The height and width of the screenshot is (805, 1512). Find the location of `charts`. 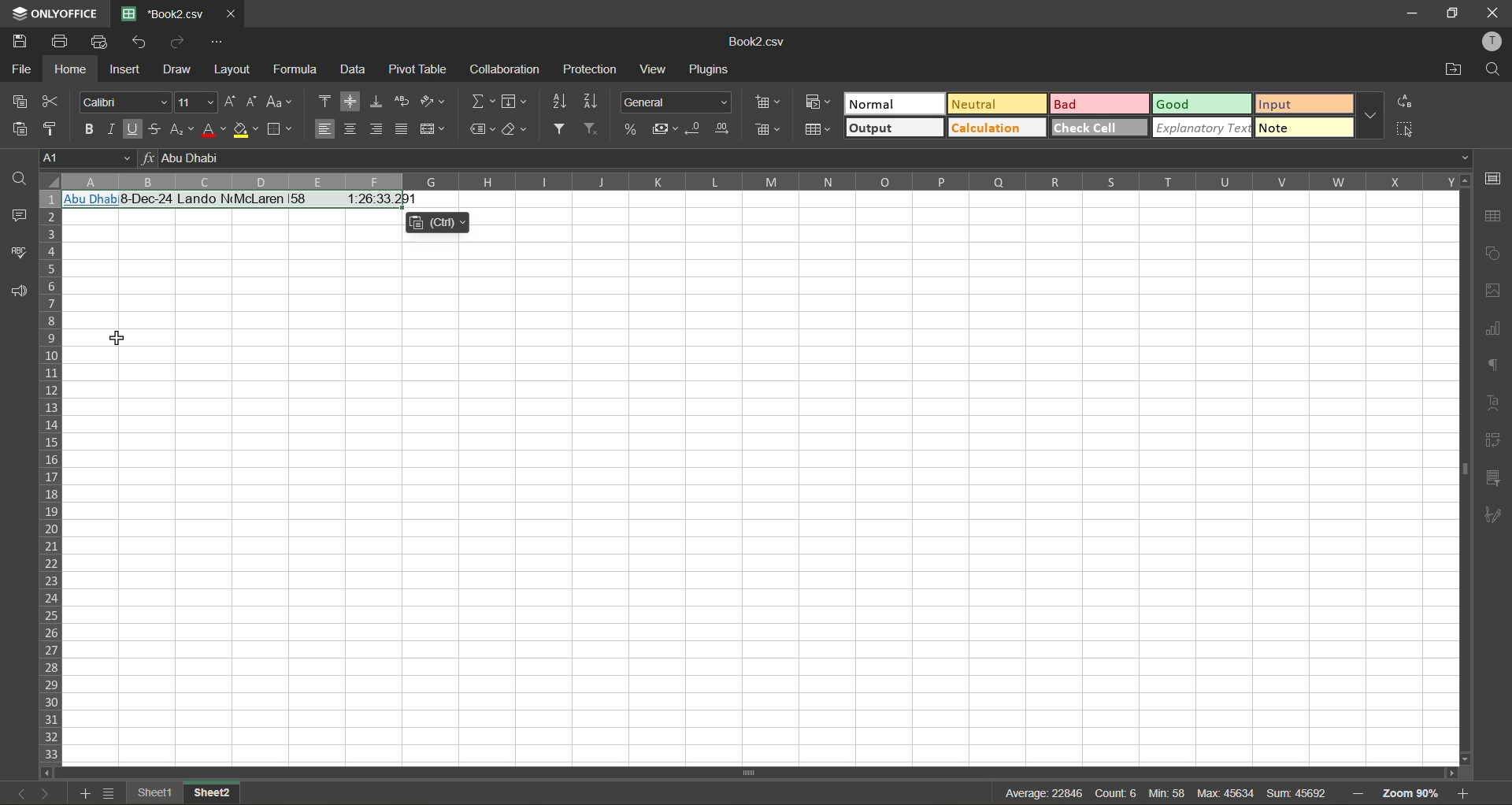

charts is located at coordinates (1494, 329).